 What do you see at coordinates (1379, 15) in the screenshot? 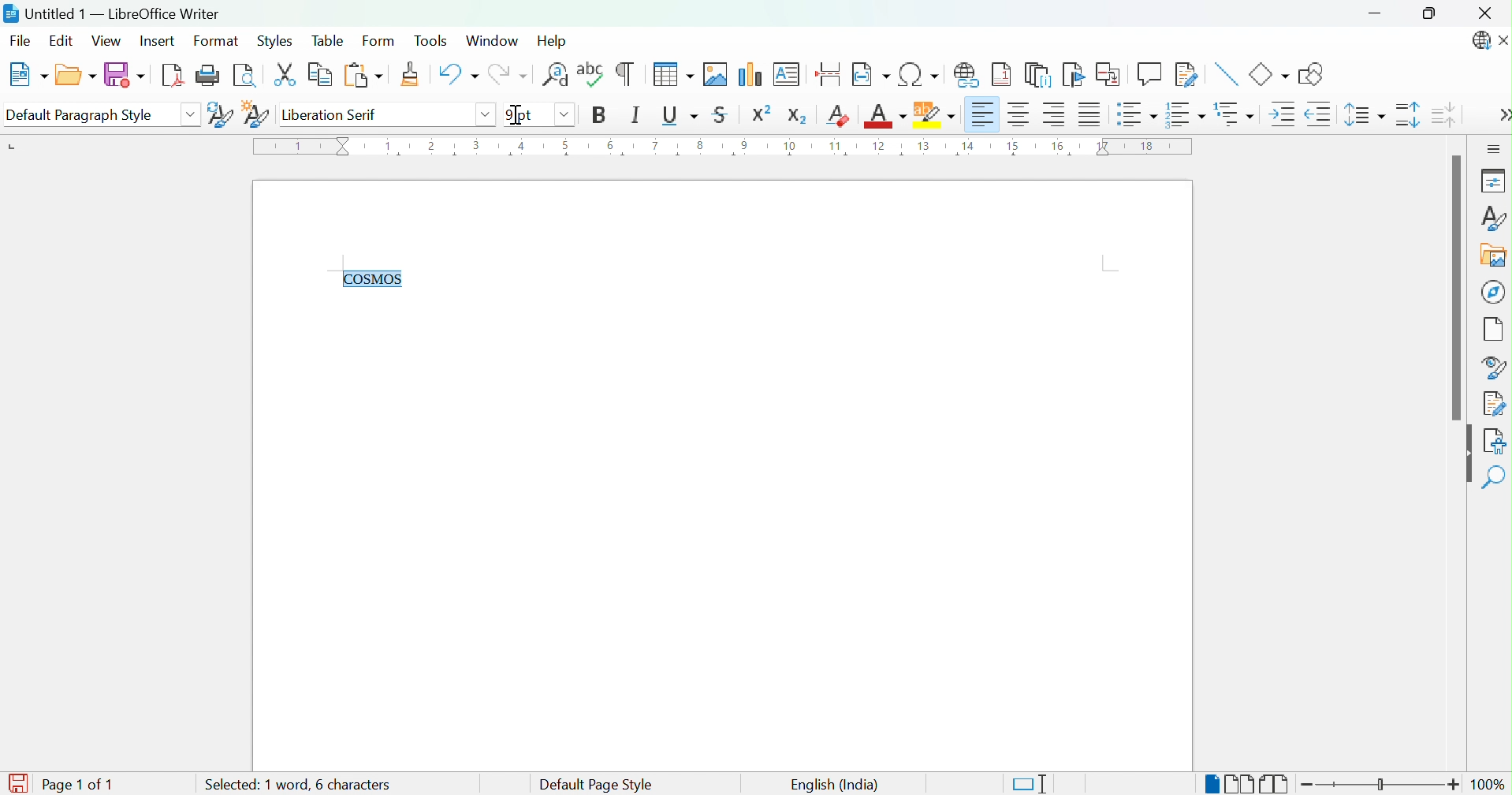
I see `Minimize` at bounding box center [1379, 15].